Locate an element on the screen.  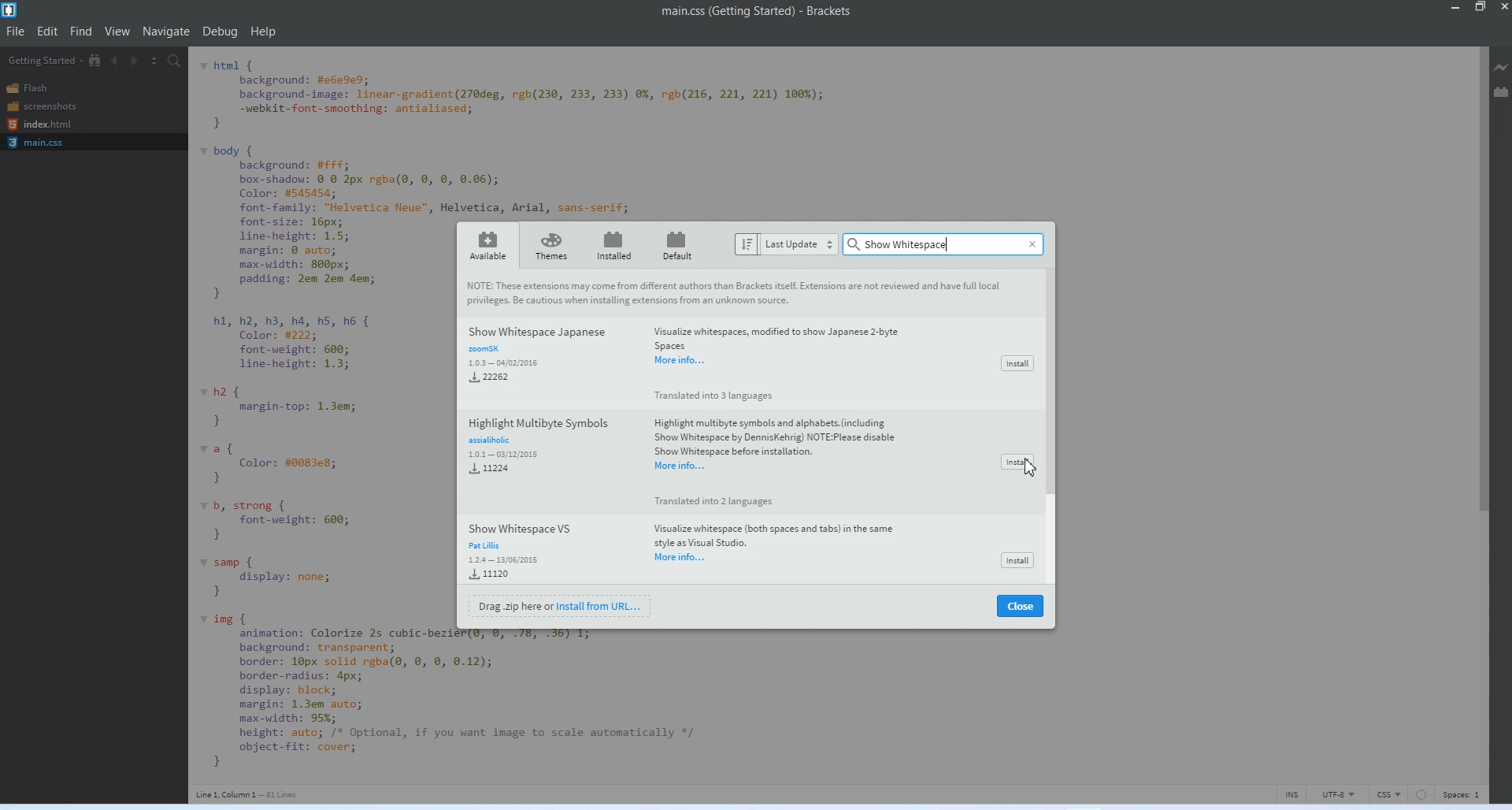
Navigate is located at coordinates (168, 32).